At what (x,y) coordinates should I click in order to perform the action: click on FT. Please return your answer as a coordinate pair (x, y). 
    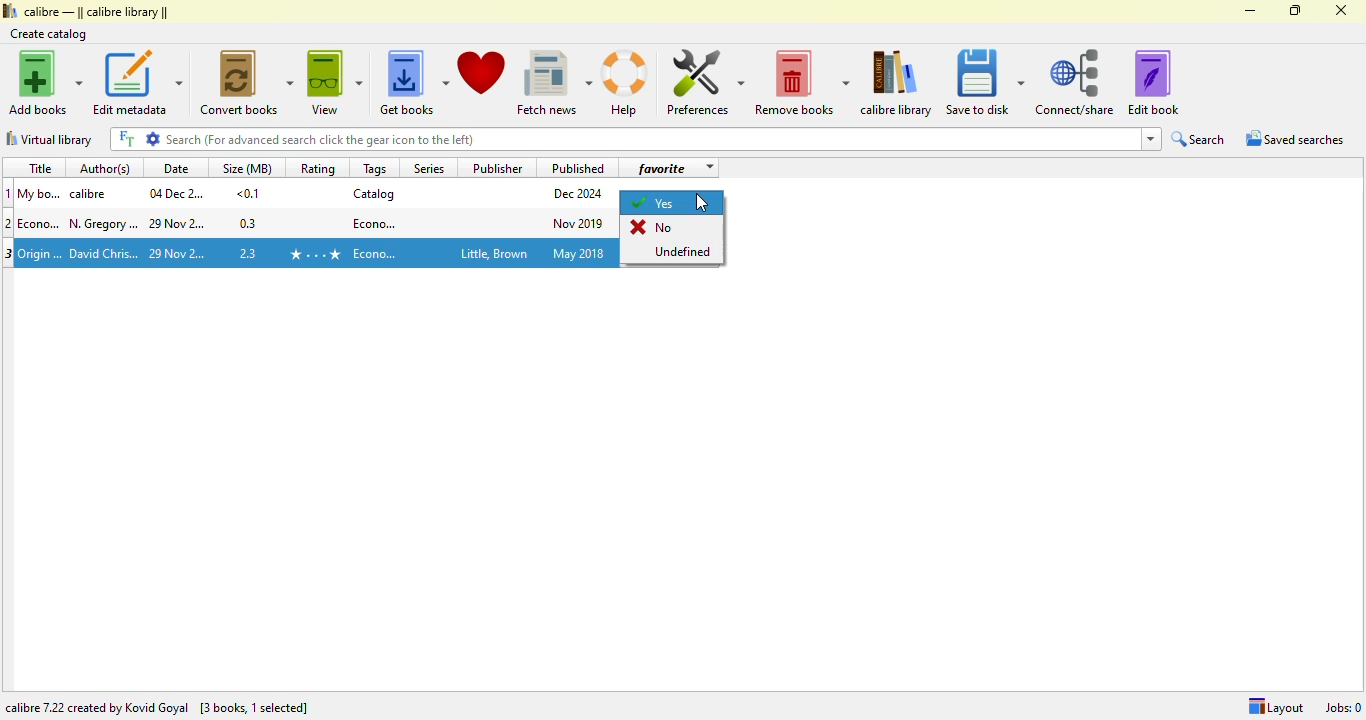
    Looking at the image, I should click on (125, 139).